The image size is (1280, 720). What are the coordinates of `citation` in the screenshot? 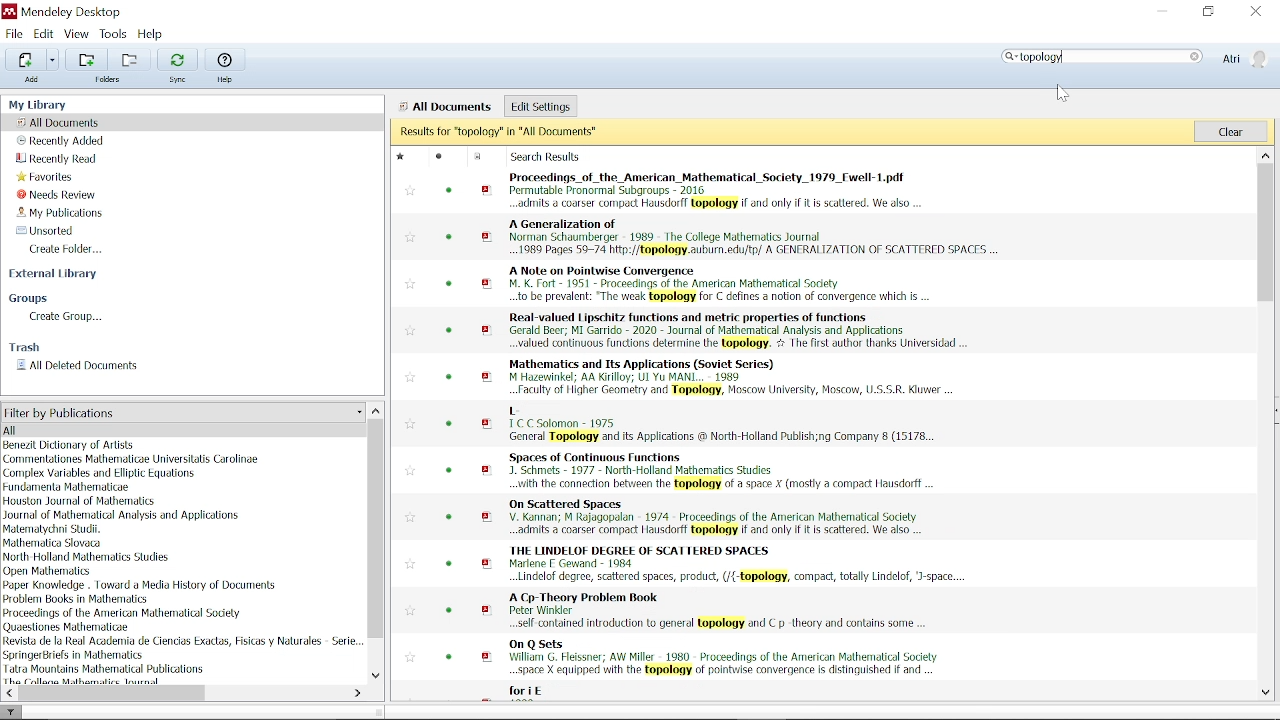 It's located at (738, 564).